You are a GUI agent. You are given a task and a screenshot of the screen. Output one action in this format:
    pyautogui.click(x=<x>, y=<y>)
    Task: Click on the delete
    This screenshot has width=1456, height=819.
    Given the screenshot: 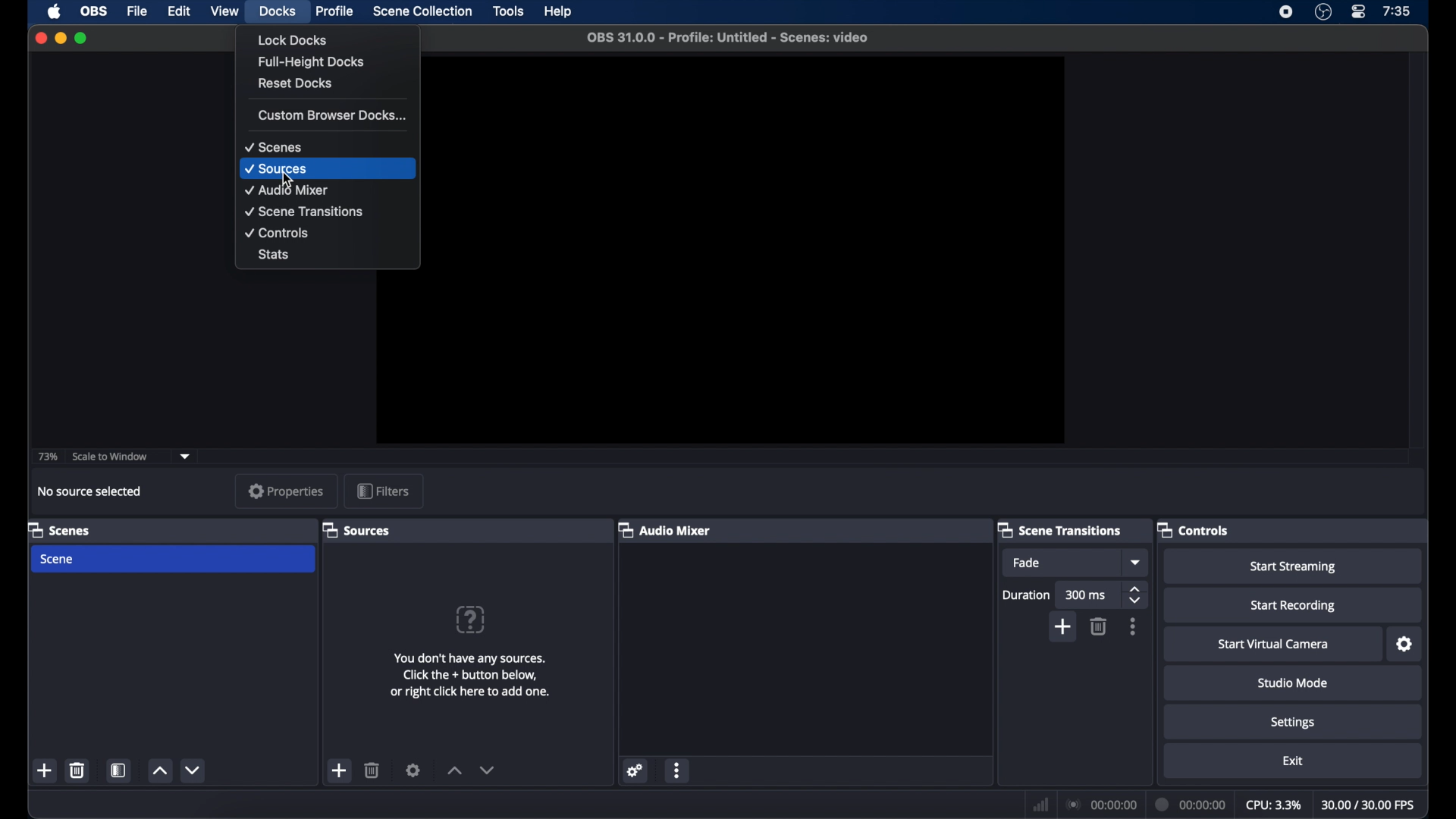 What is the action you would take?
    pyautogui.click(x=372, y=770)
    